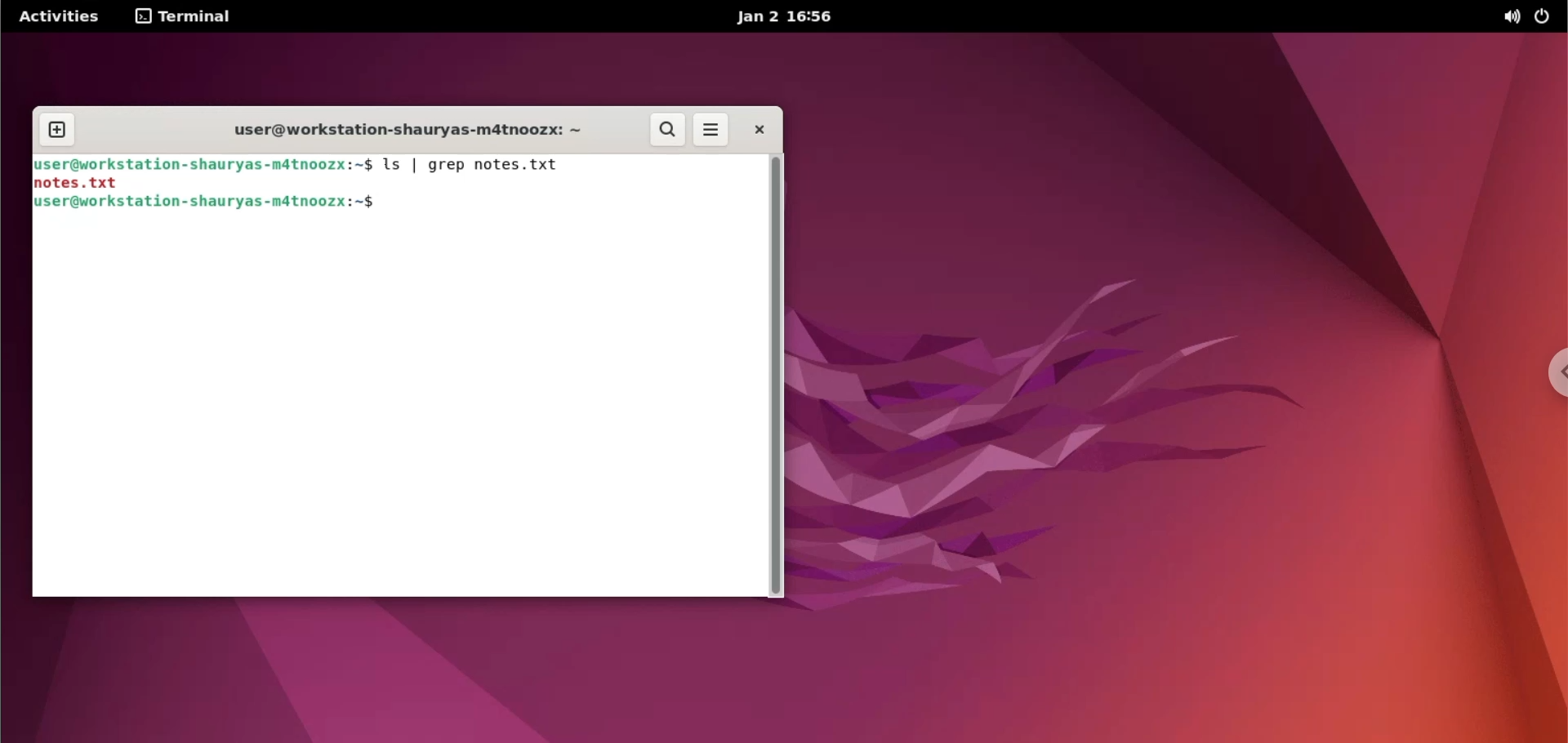 The width and height of the screenshot is (1568, 743). What do you see at coordinates (60, 125) in the screenshot?
I see `new tab` at bounding box center [60, 125].